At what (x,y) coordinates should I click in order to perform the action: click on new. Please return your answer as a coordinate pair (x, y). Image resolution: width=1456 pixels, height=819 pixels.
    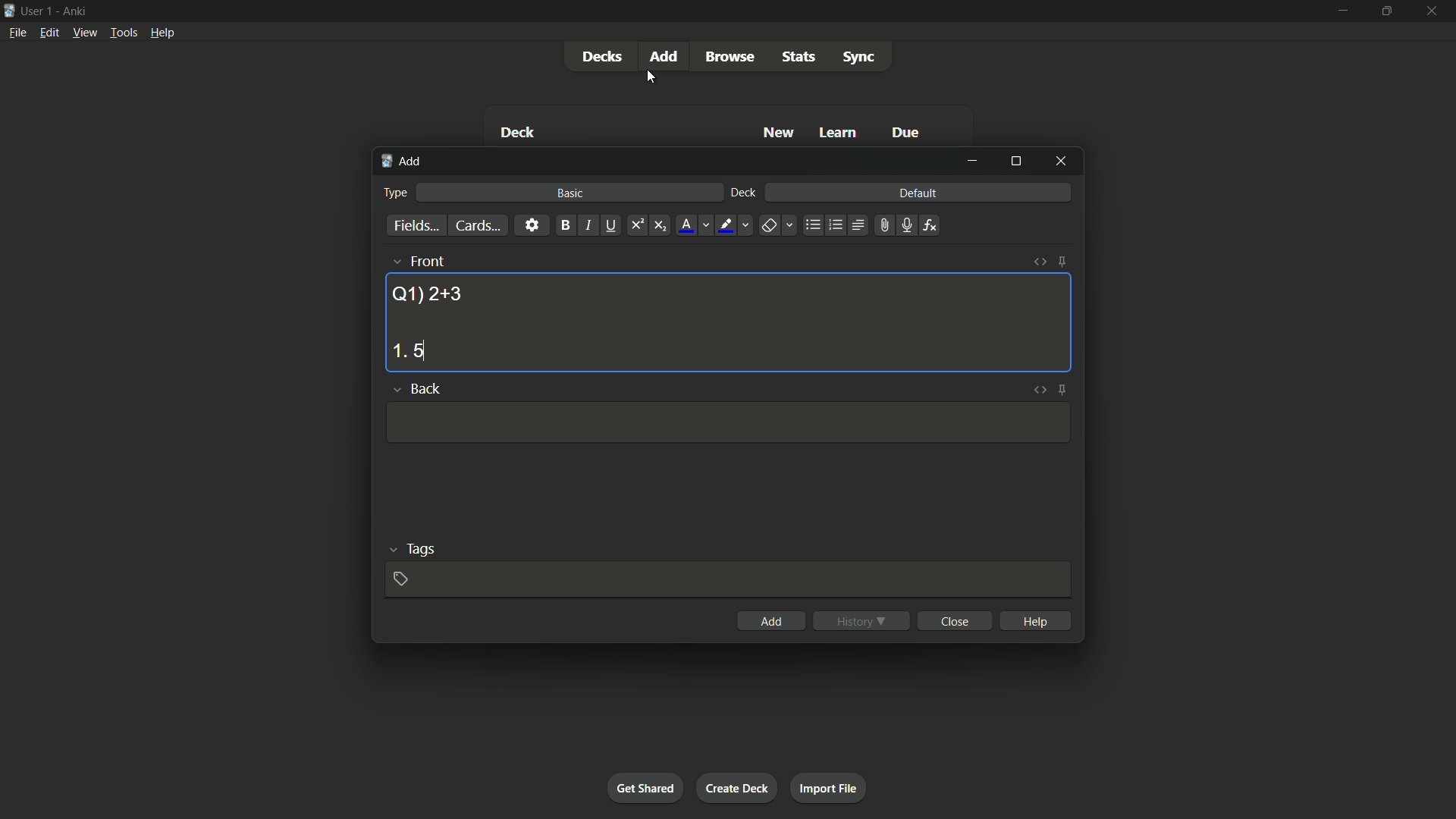
    Looking at the image, I should click on (780, 132).